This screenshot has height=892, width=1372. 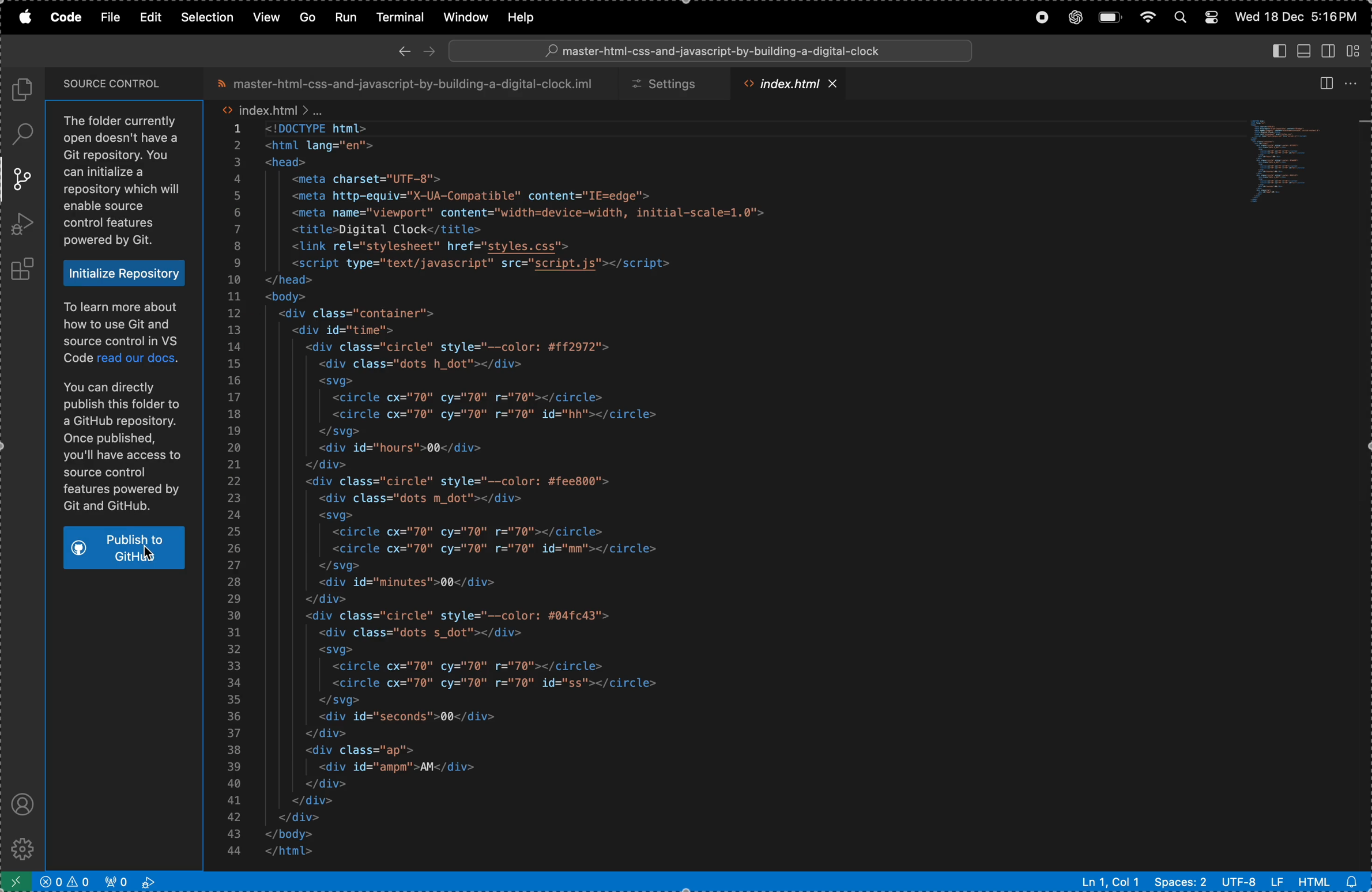 I want to click on edit, so click(x=153, y=17).